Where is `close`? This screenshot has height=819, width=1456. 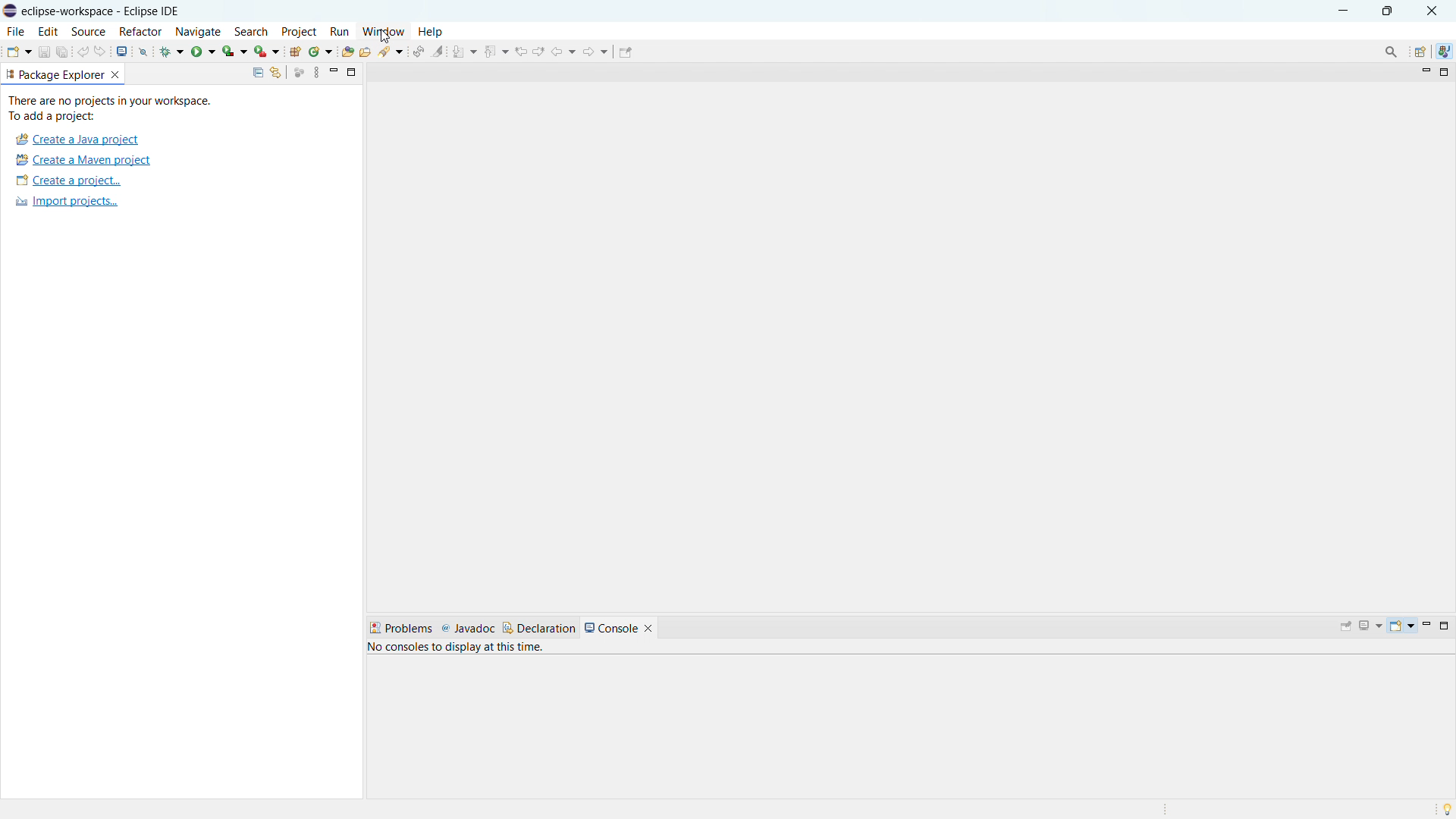
close is located at coordinates (1432, 11).